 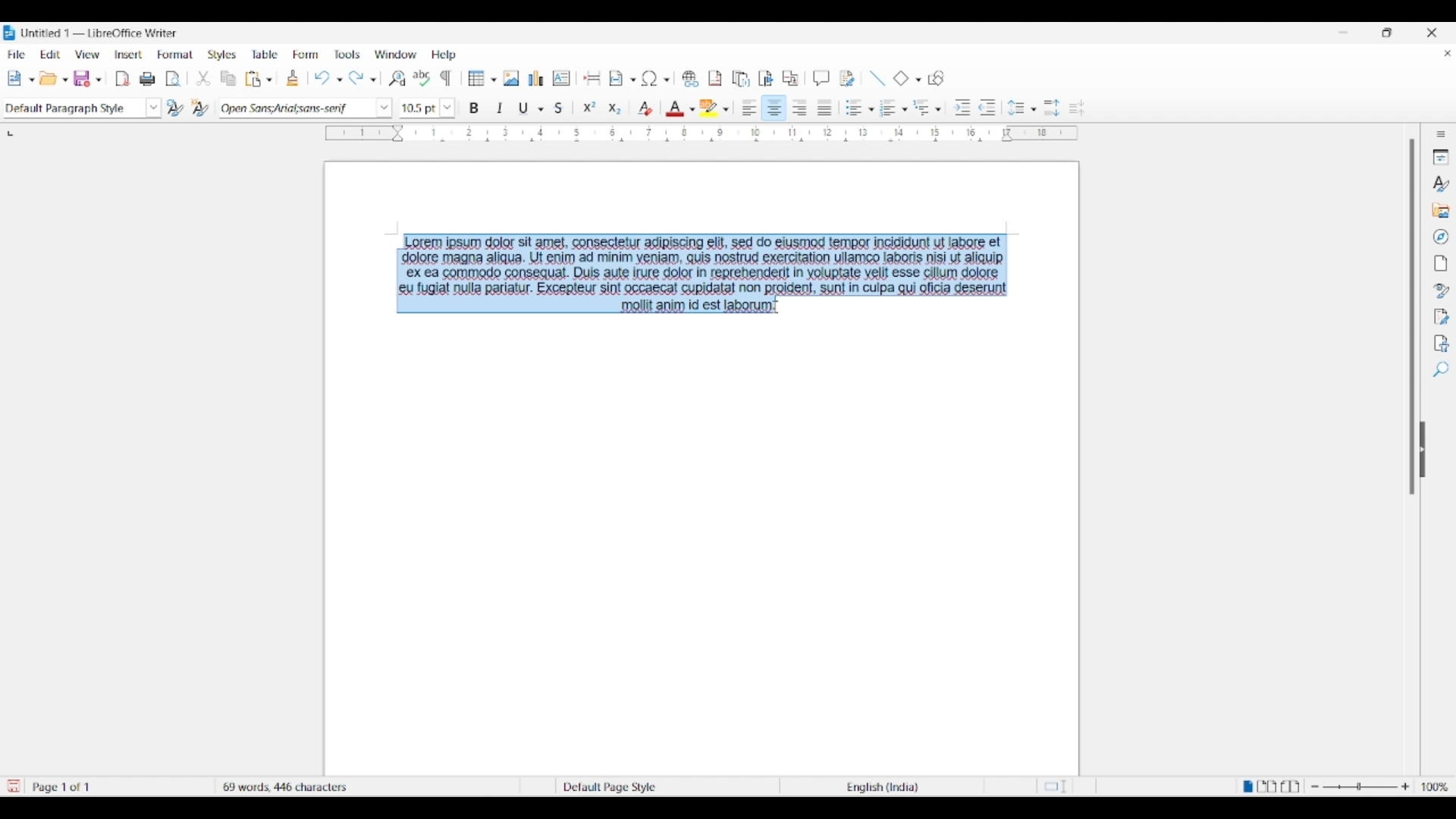 What do you see at coordinates (446, 78) in the screenshot?
I see `Toggle formatting marks` at bounding box center [446, 78].